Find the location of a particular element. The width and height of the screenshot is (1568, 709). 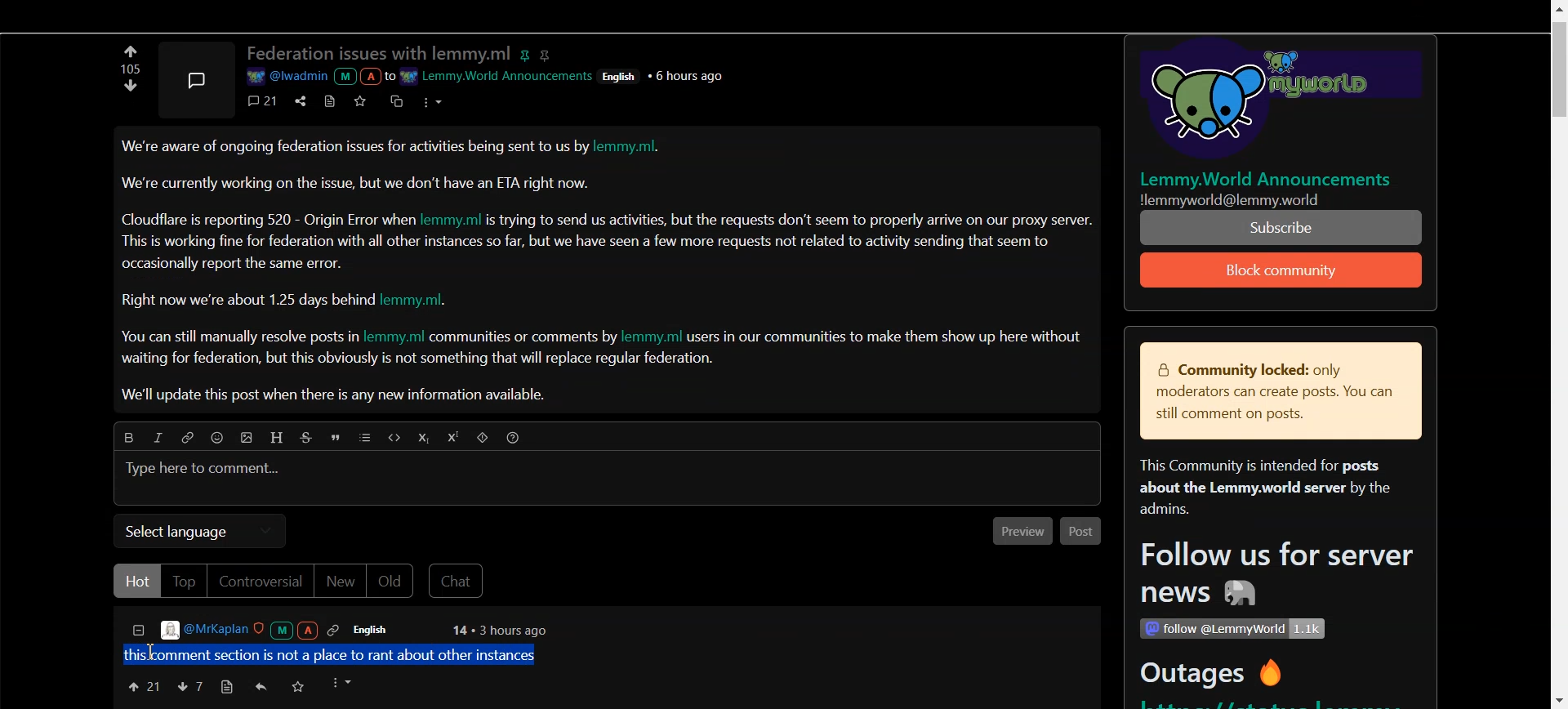

Sorting Help is located at coordinates (514, 437).